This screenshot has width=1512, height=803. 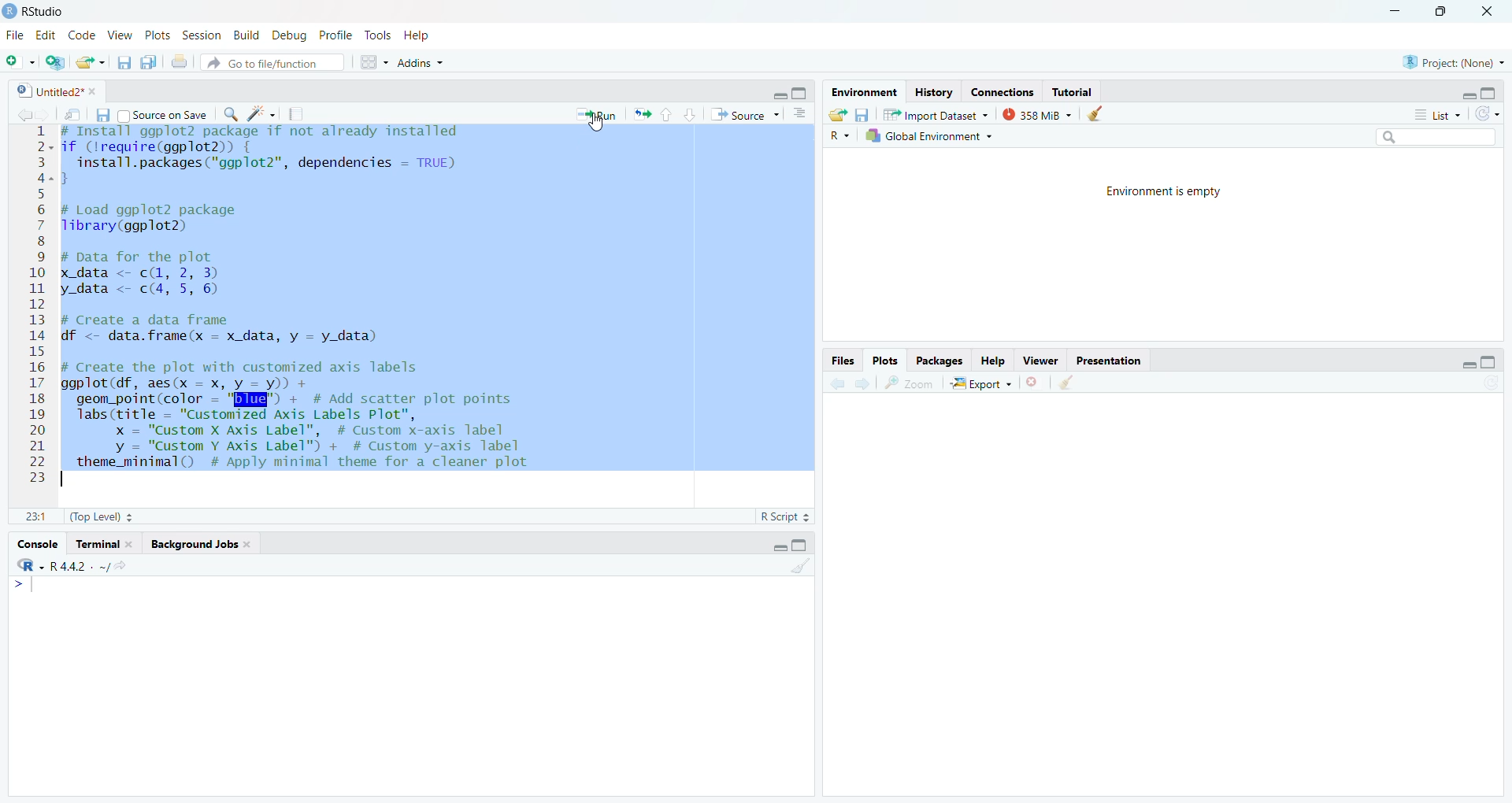 What do you see at coordinates (1435, 115) in the screenshot?
I see `List -` at bounding box center [1435, 115].